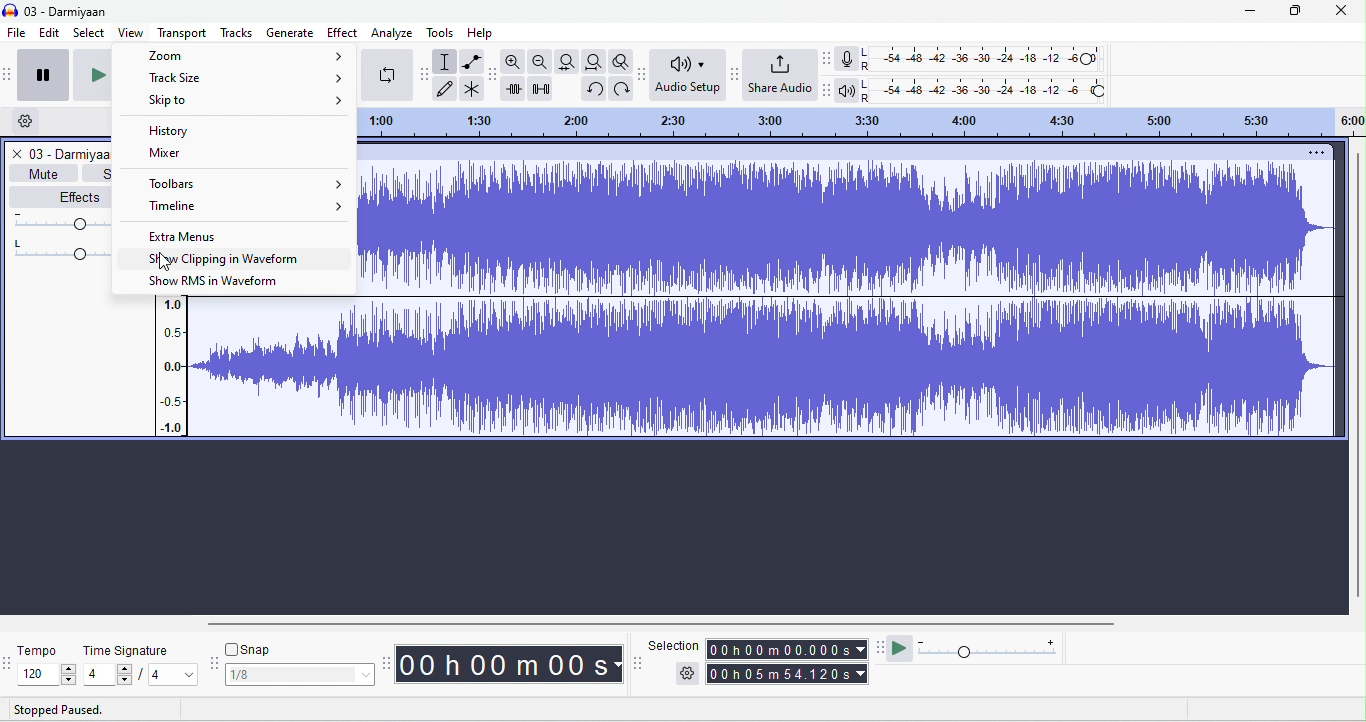 The height and width of the screenshot is (722, 1366). I want to click on select, so click(88, 34).